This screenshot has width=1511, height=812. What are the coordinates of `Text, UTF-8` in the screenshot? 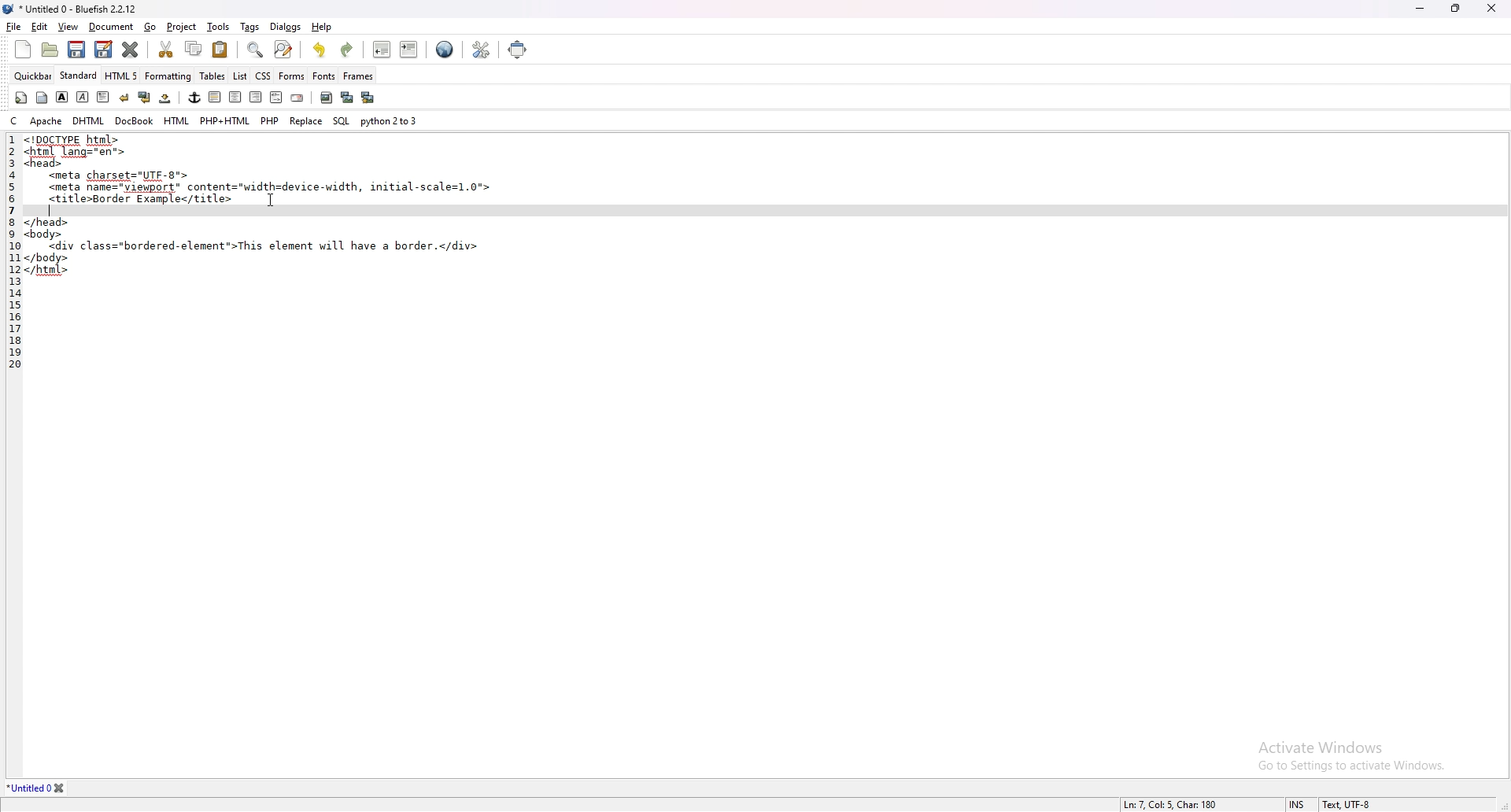 It's located at (1345, 804).